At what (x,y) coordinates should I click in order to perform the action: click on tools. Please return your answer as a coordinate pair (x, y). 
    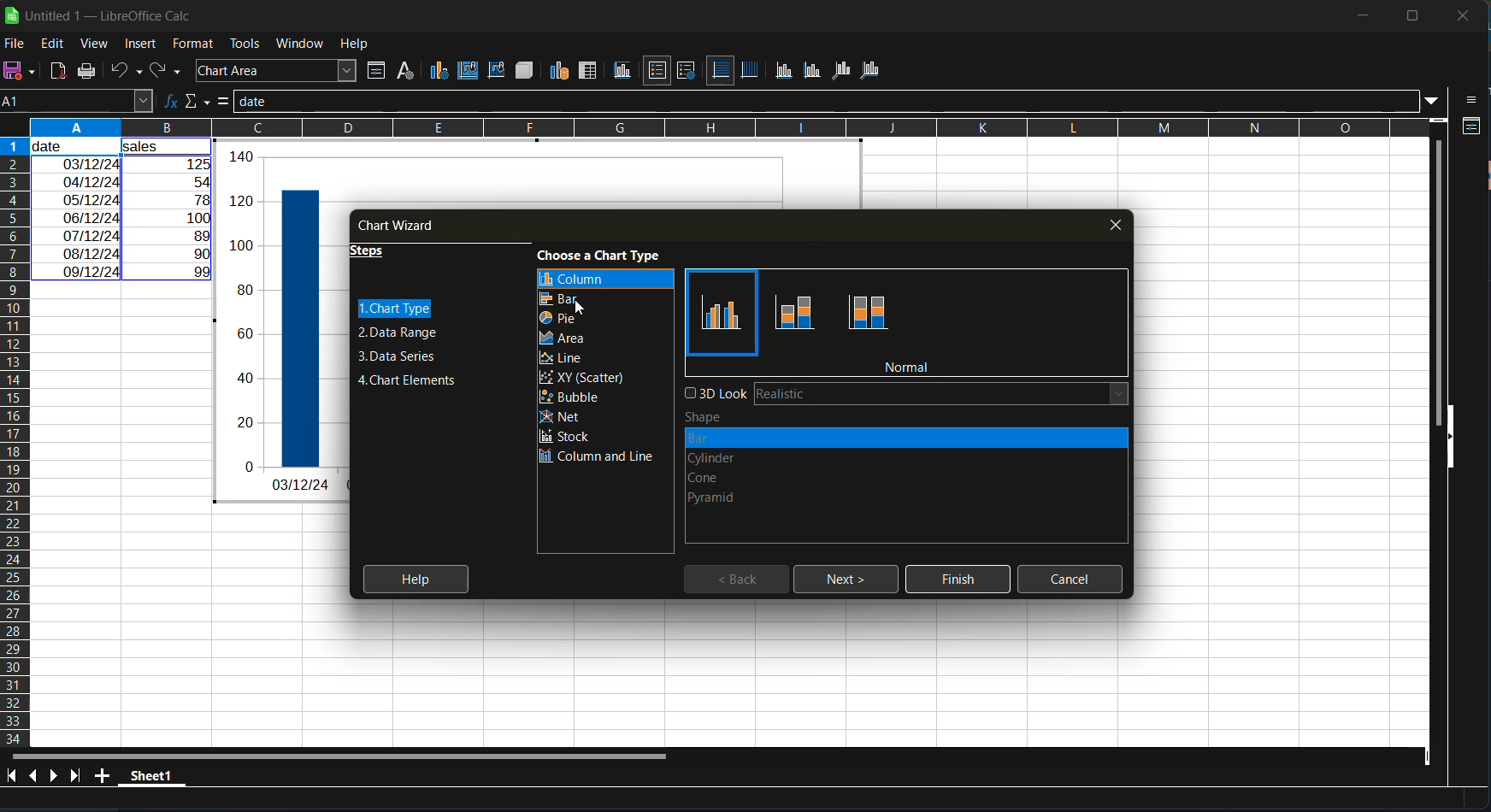
    Looking at the image, I should click on (244, 43).